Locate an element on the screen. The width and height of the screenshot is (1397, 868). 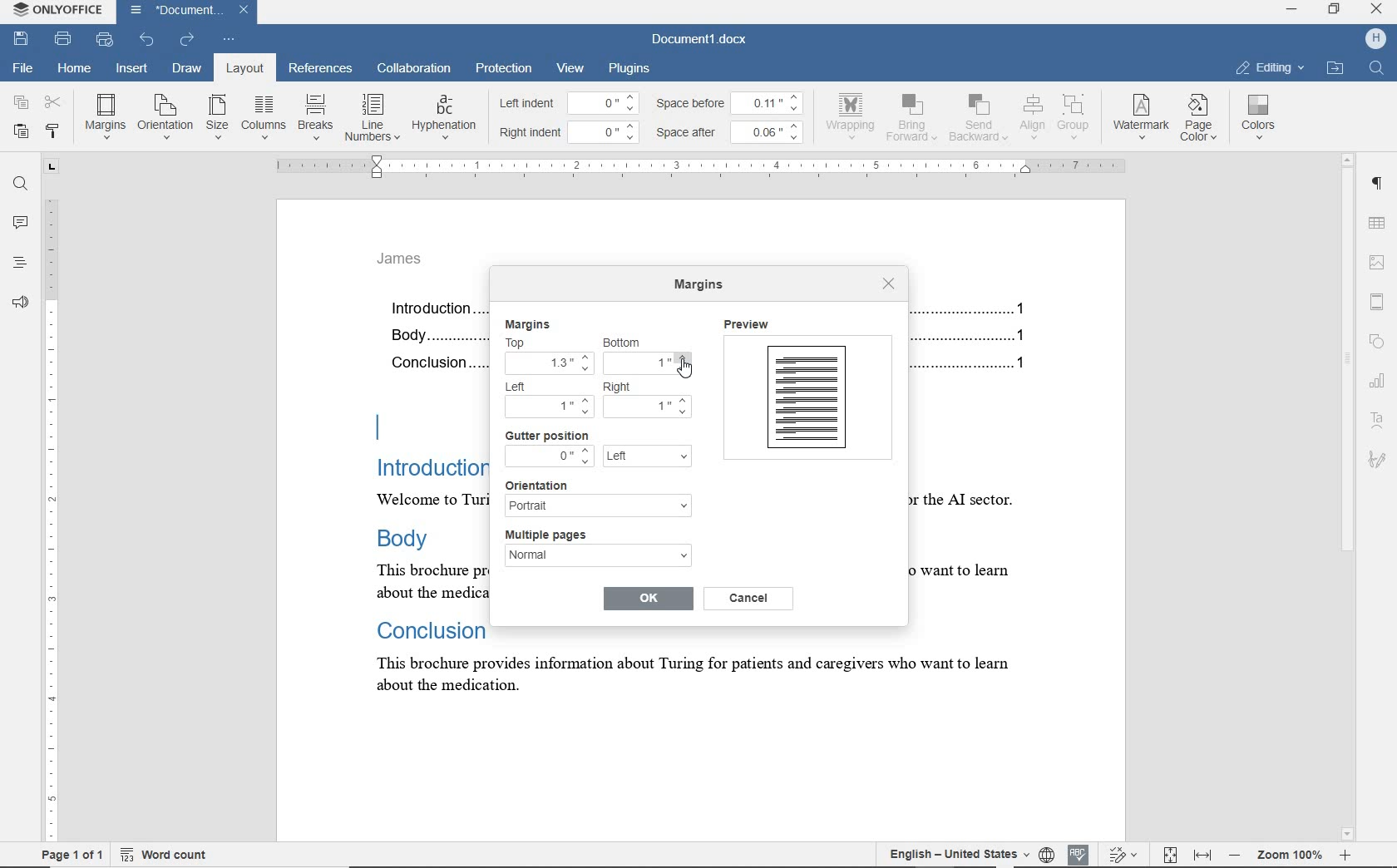
send backward is located at coordinates (978, 120).